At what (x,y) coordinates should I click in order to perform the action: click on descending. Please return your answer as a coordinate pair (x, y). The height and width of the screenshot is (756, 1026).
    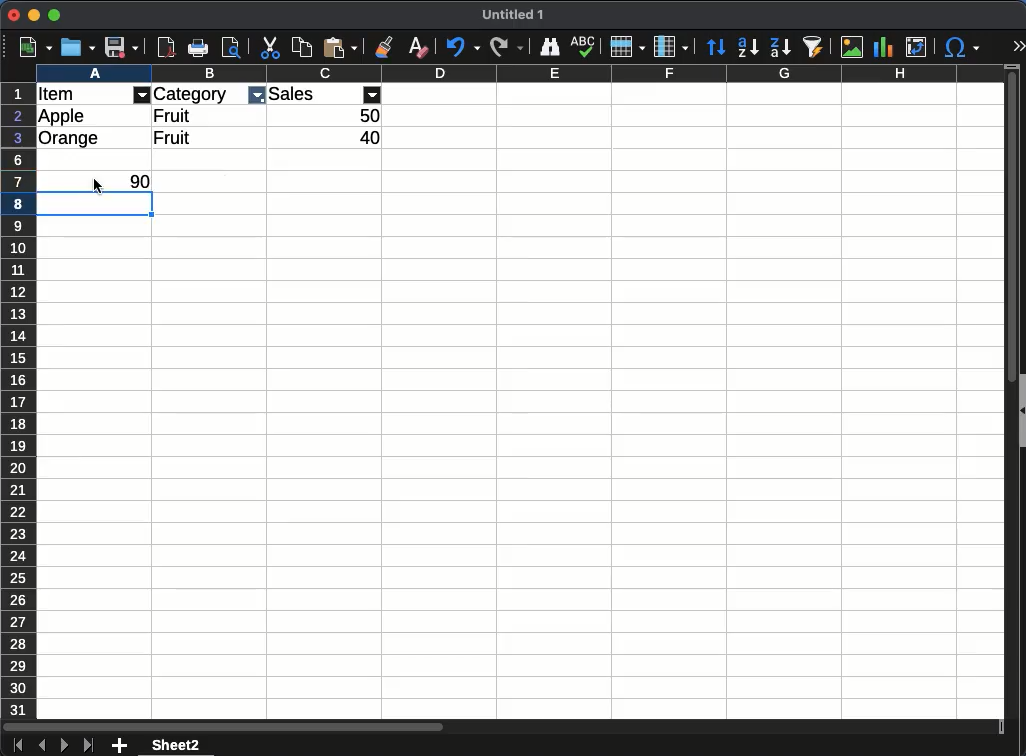
    Looking at the image, I should click on (780, 48).